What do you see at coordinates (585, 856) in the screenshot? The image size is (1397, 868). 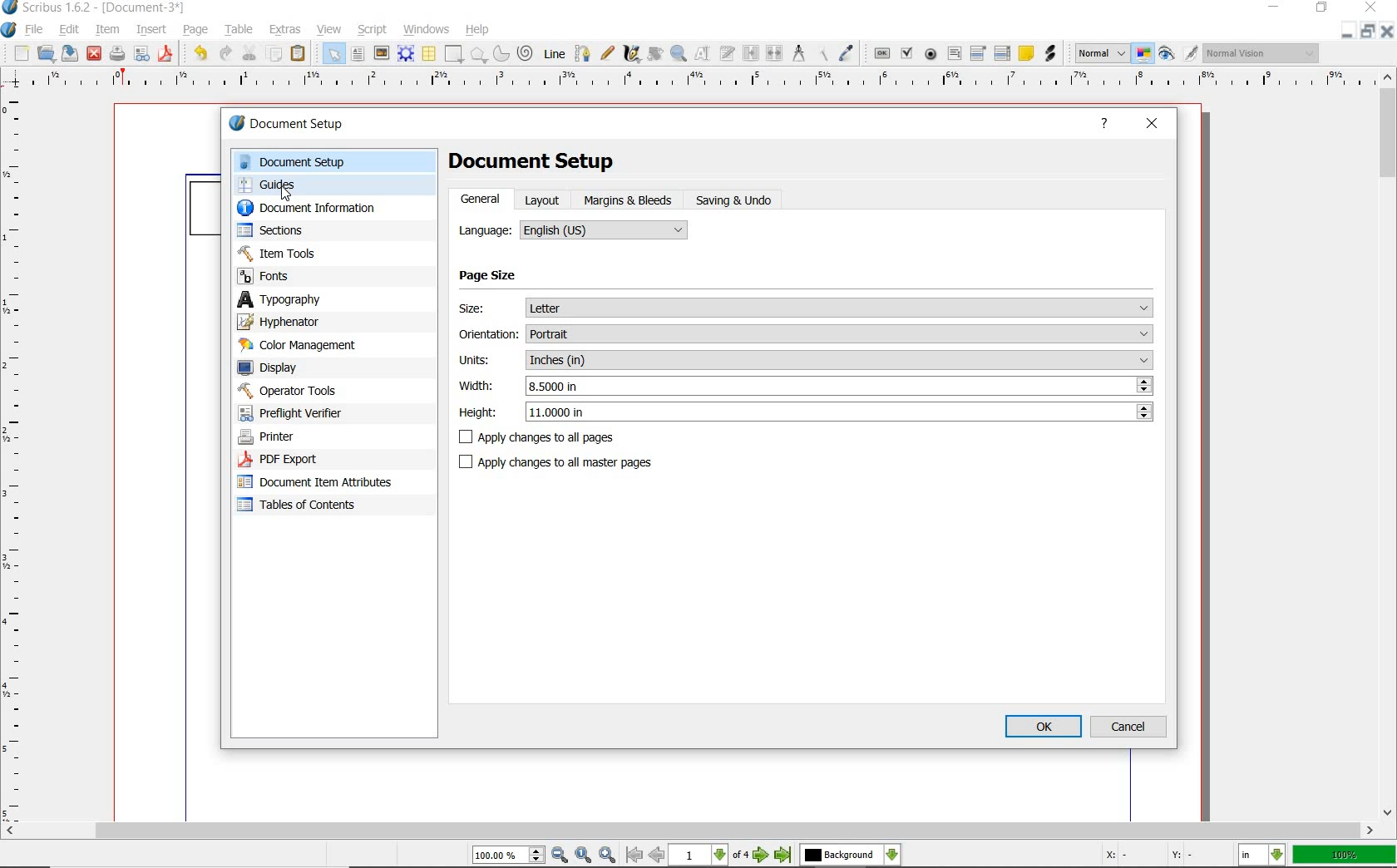 I see `zoom to 100%` at bounding box center [585, 856].